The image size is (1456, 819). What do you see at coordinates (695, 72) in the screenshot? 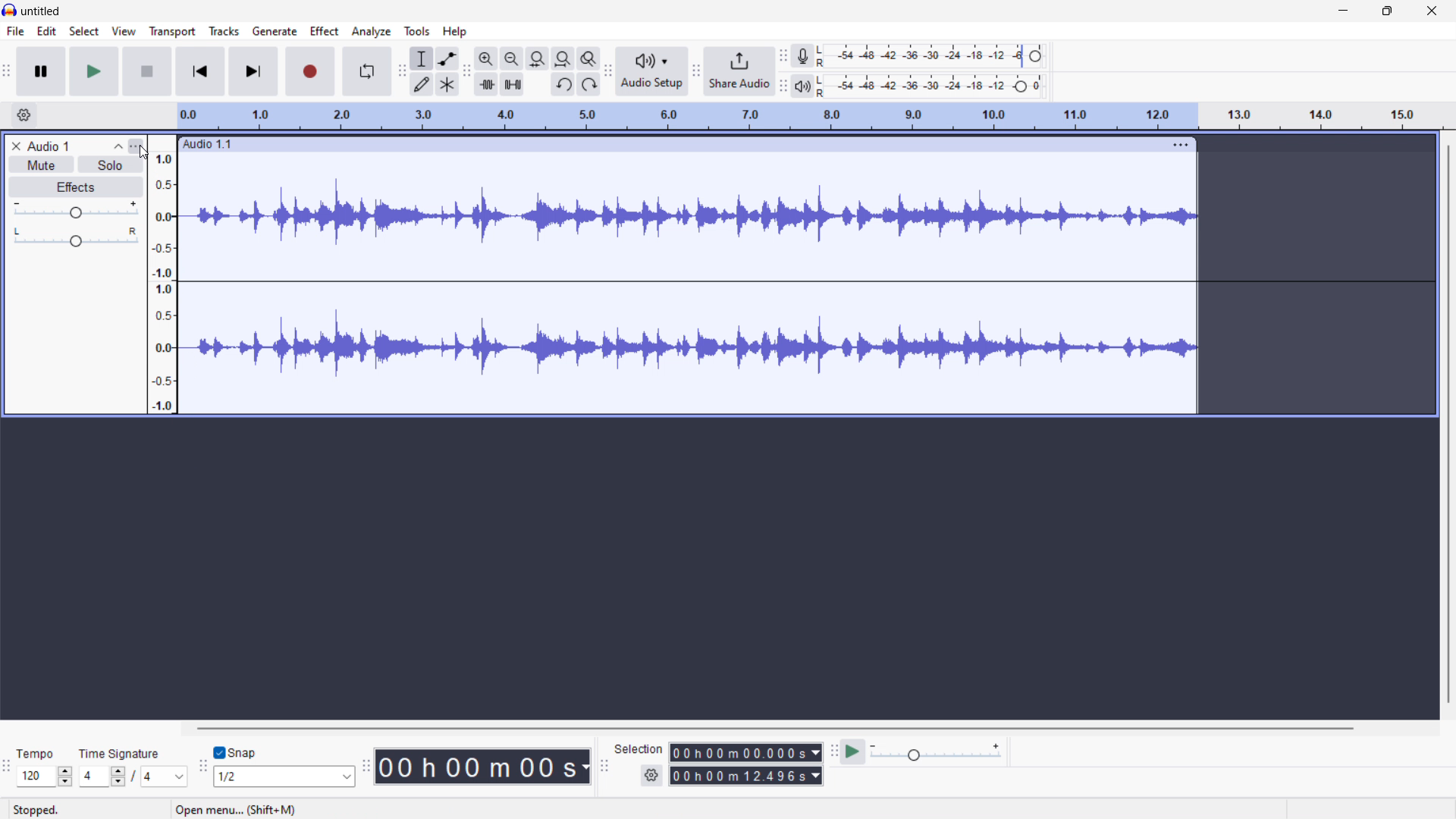
I see `playback meter toolbar` at bounding box center [695, 72].